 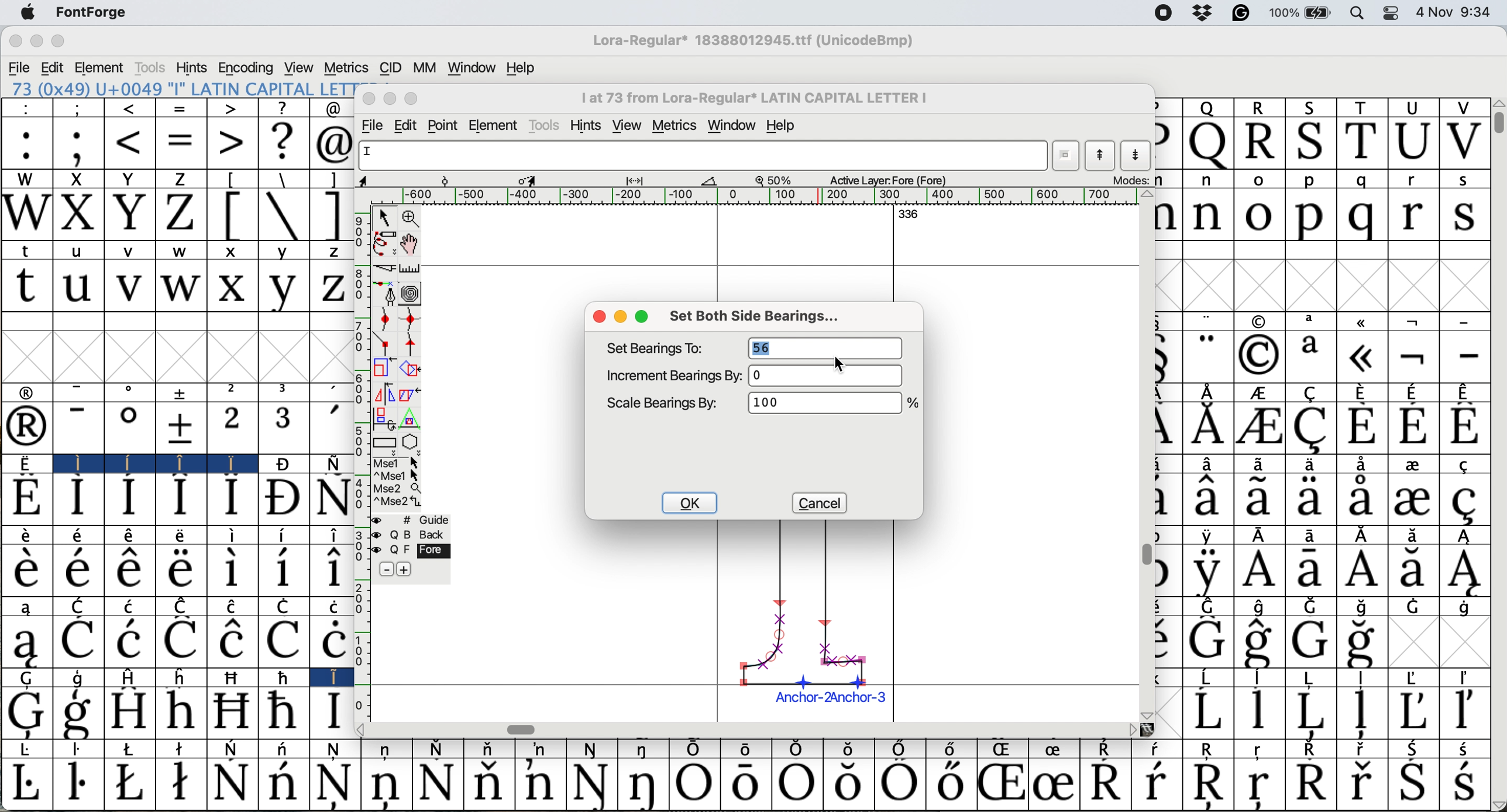 What do you see at coordinates (1205, 571) in the screenshot?
I see `Symbol` at bounding box center [1205, 571].